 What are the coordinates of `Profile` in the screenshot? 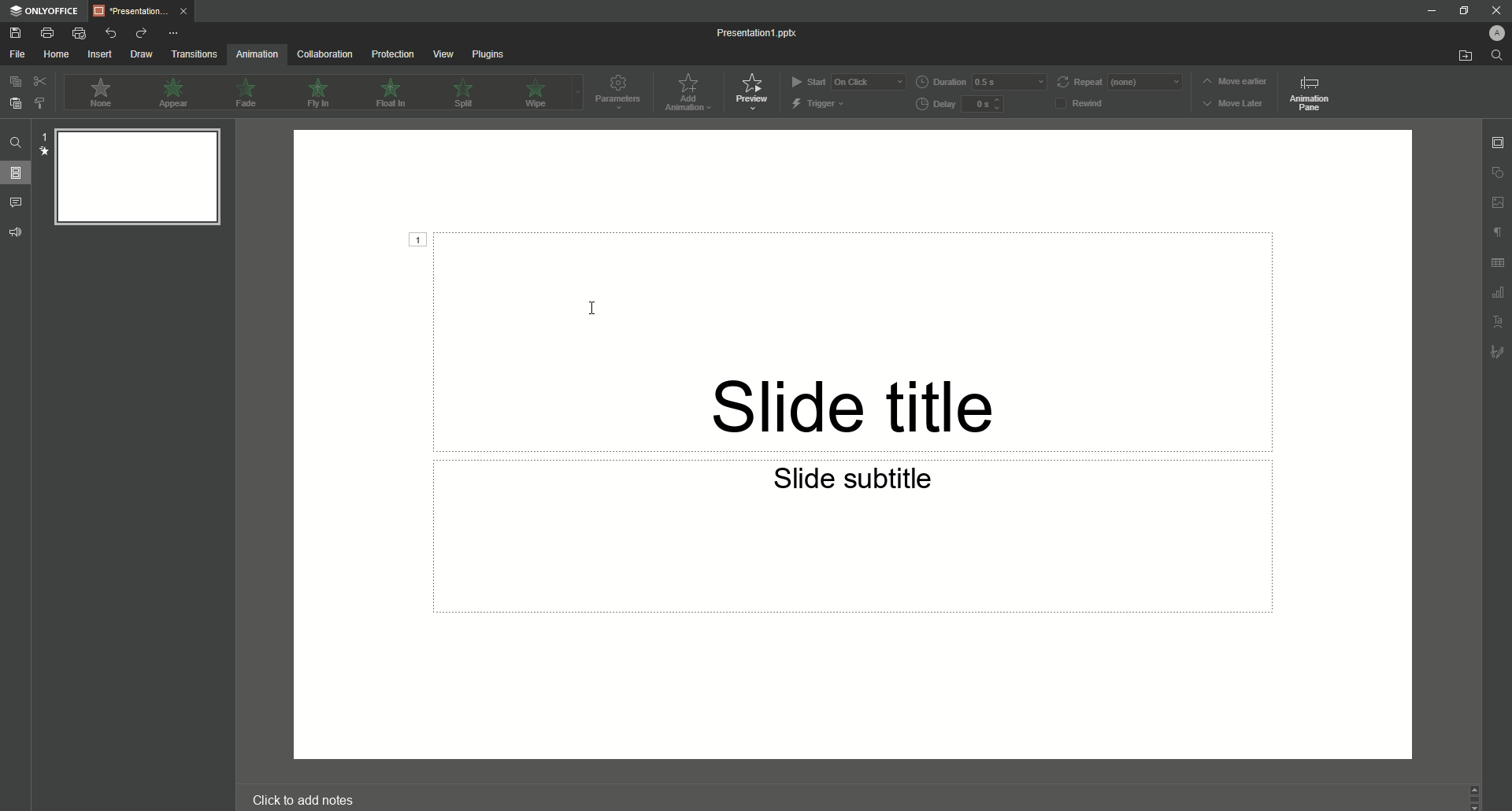 It's located at (1495, 33).